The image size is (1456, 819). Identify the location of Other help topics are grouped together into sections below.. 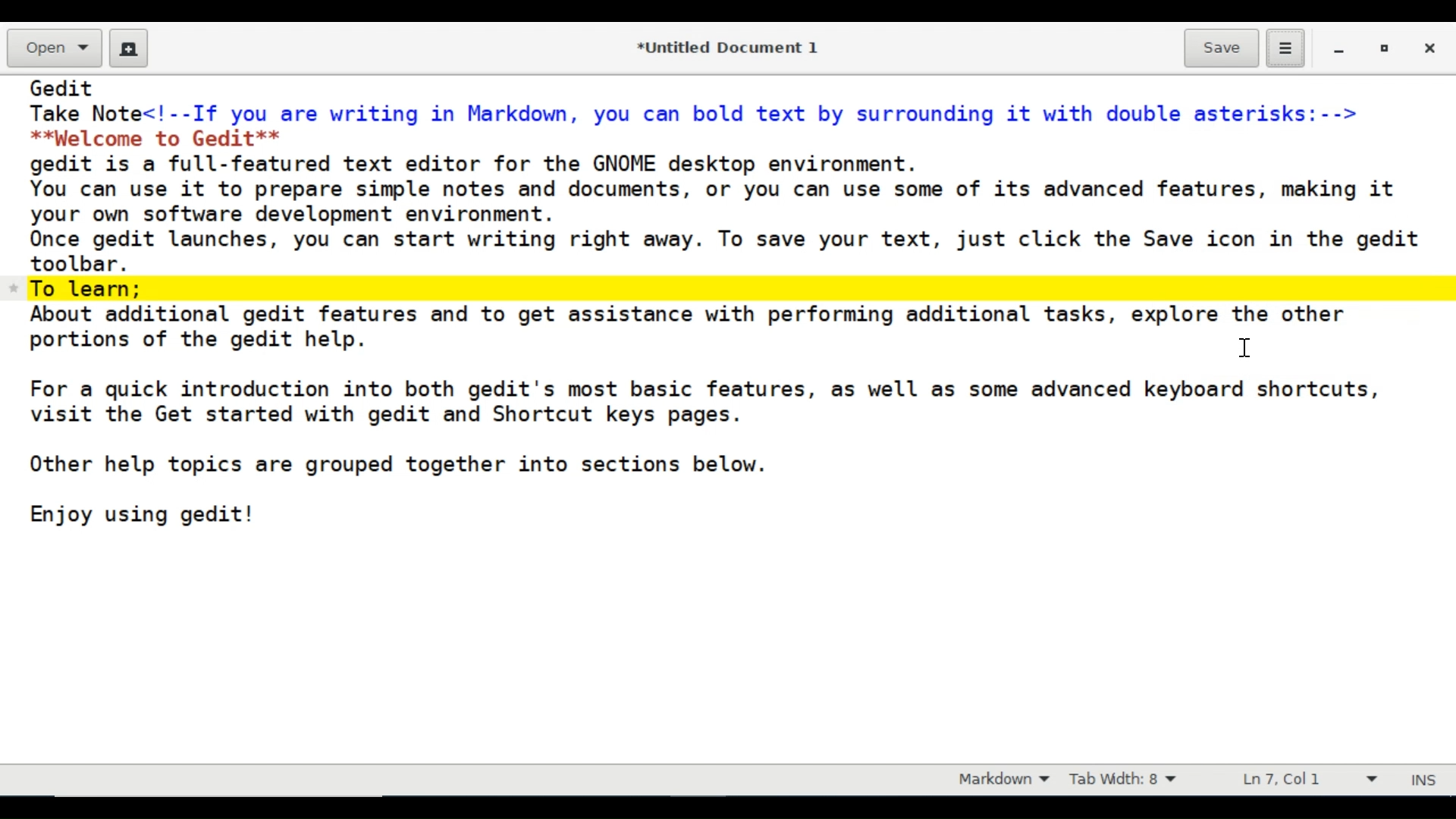
(397, 465).